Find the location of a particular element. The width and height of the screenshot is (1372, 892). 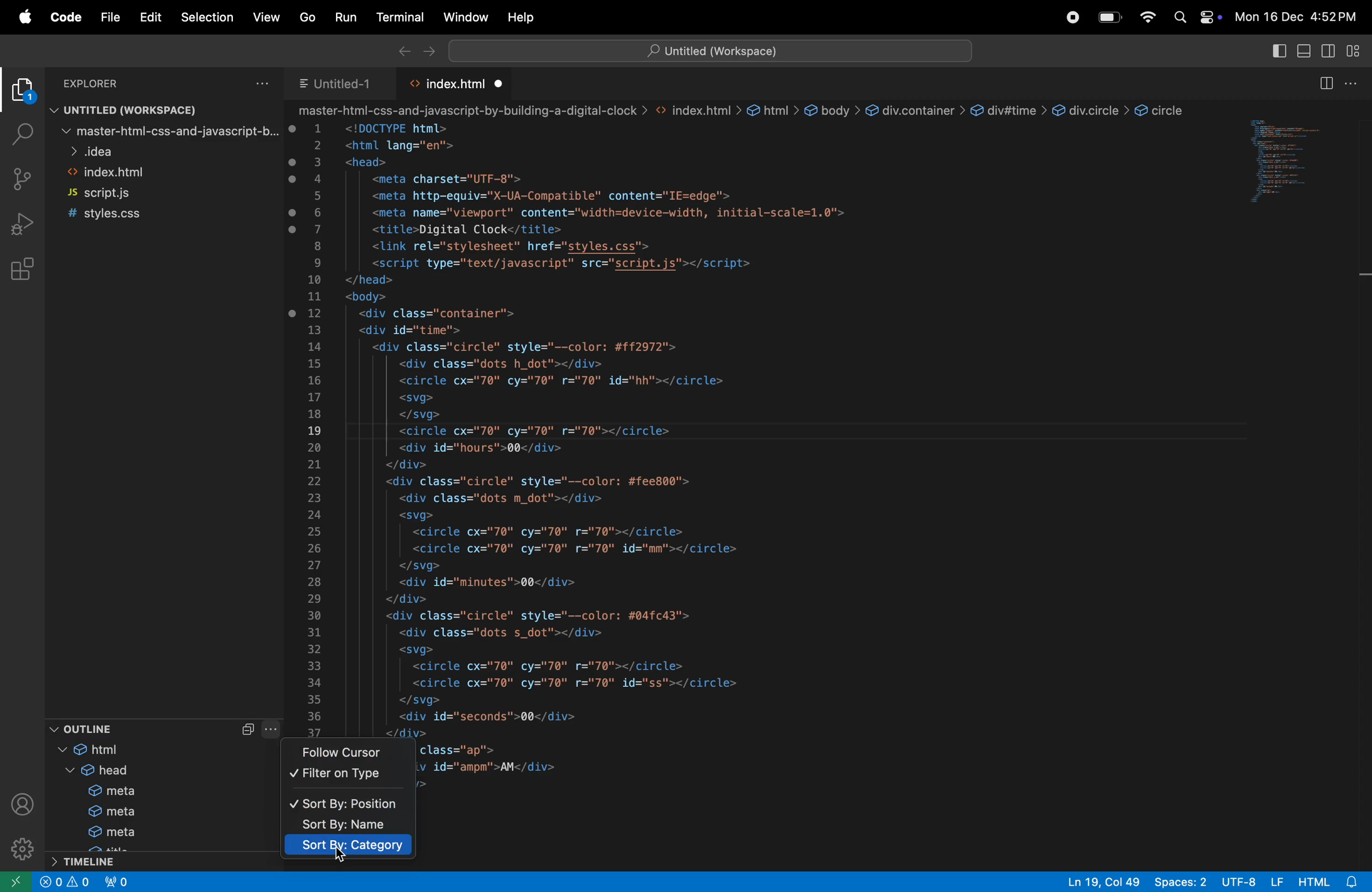

filter on type is located at coordinates (344, 775).